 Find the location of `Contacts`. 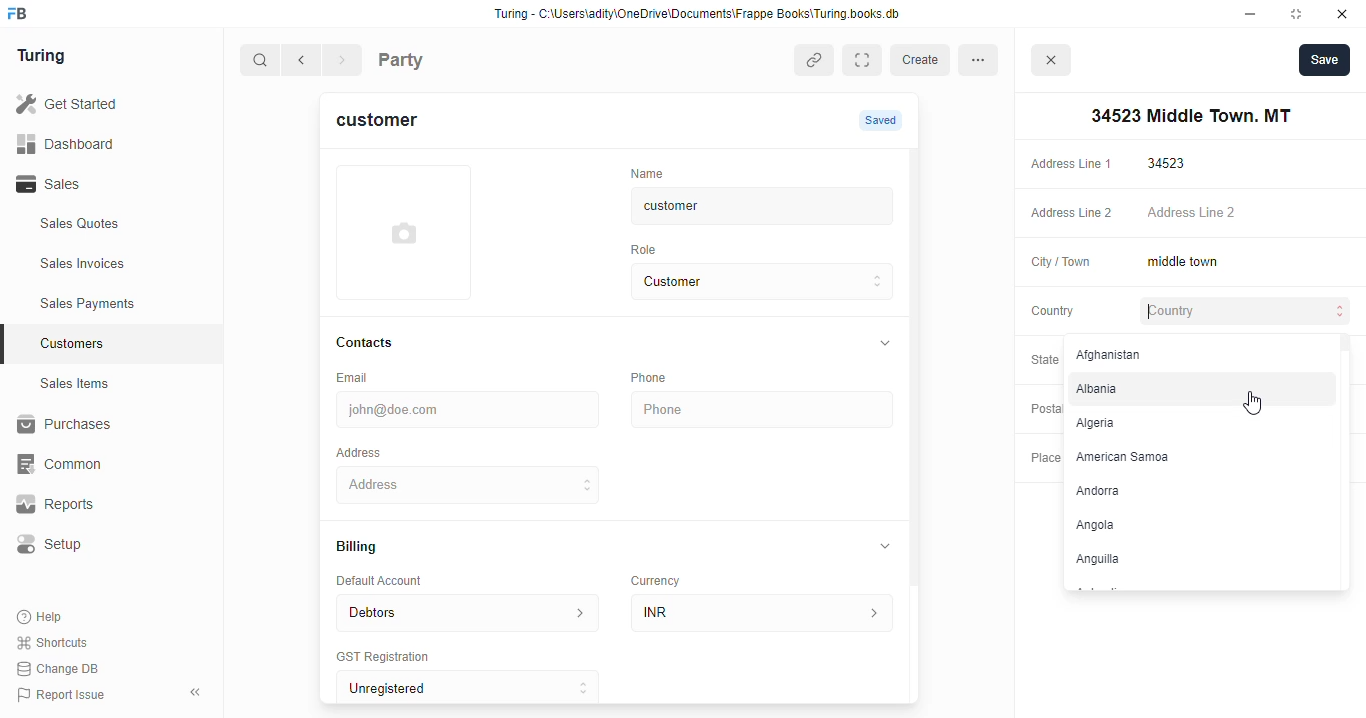

Contacts is located at coordinates (384, 343).